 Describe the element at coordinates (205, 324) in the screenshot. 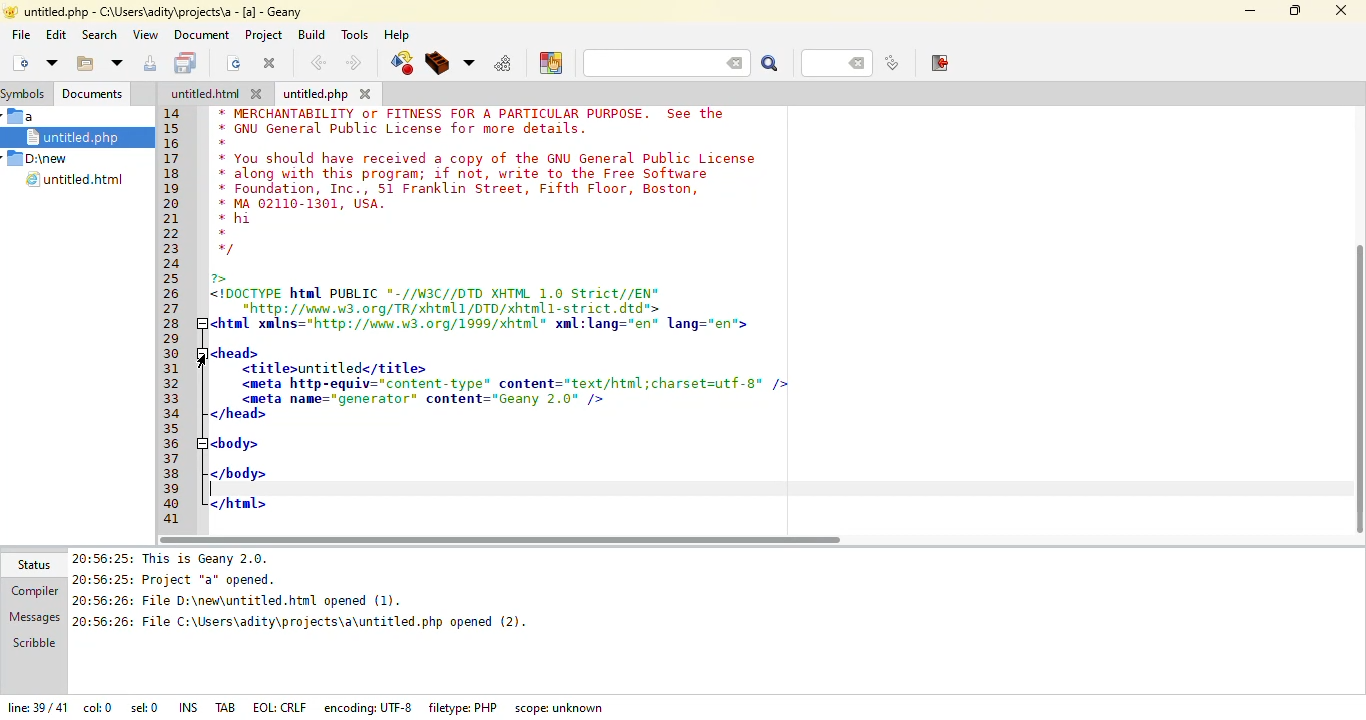

I see `collapse` at that location.